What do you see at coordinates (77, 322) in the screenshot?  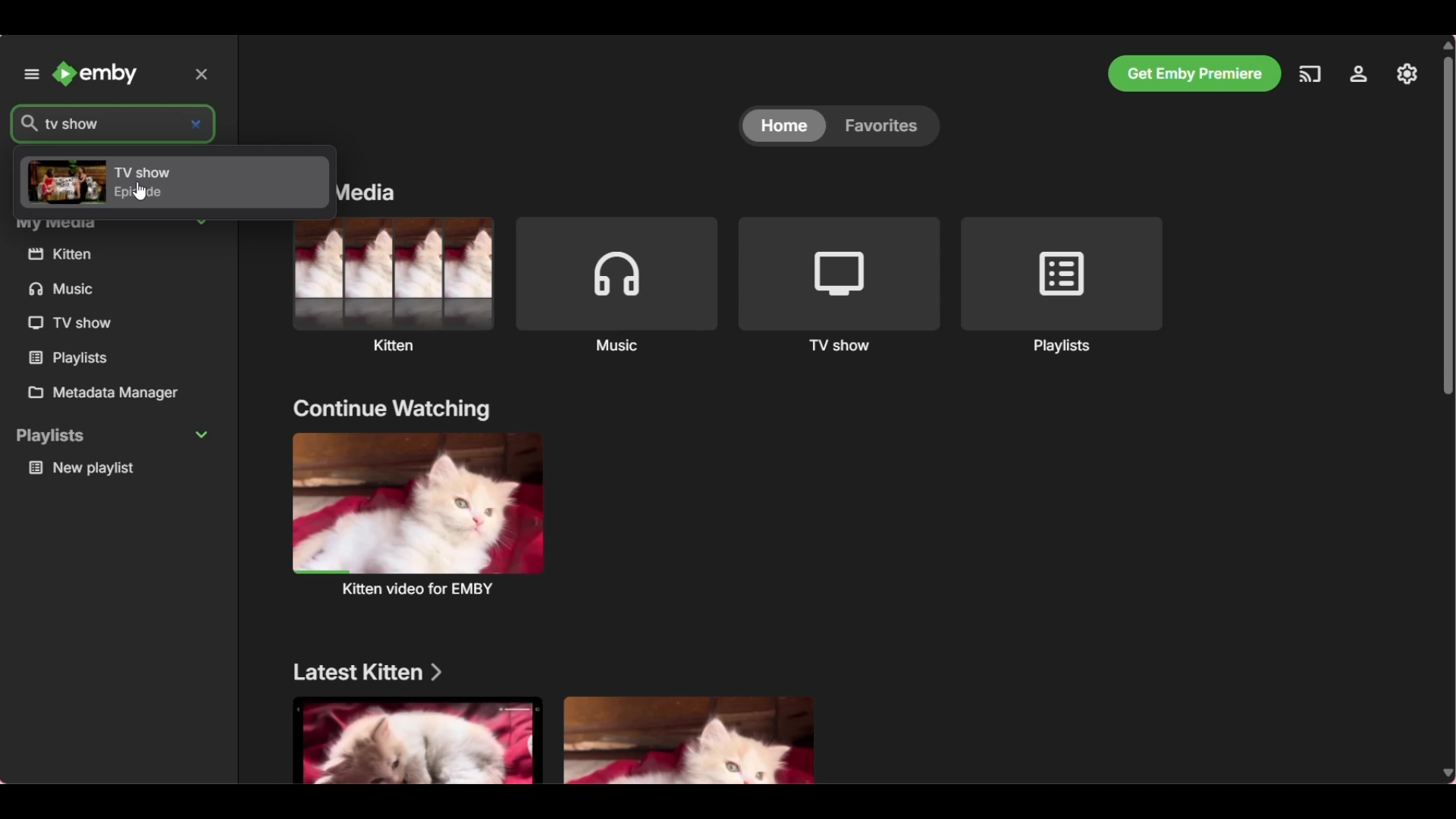 I see `TV show` at bounding box center [77, 322].